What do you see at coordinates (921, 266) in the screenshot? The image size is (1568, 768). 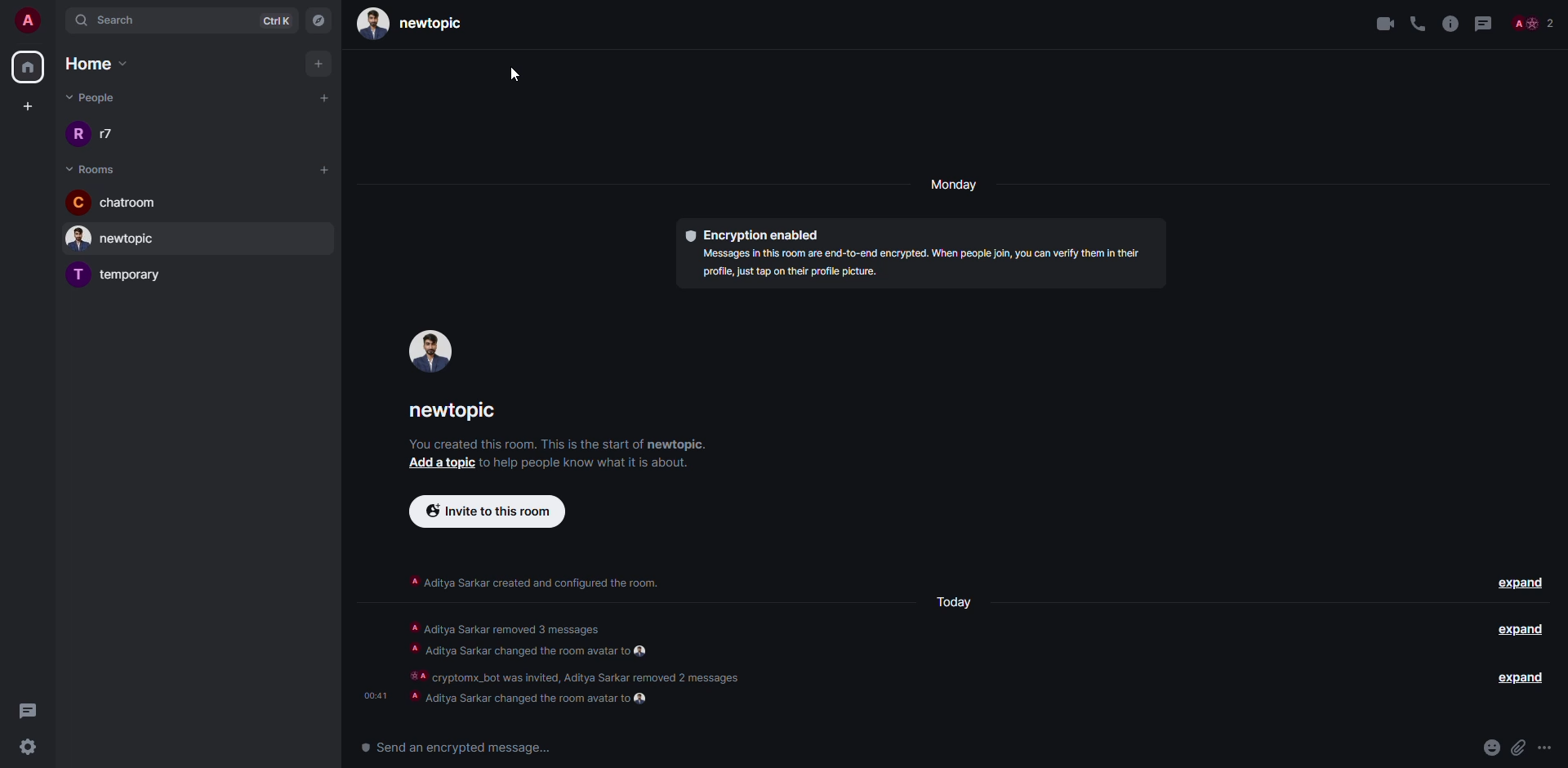 I see `info` at bounding box center [921, 266].